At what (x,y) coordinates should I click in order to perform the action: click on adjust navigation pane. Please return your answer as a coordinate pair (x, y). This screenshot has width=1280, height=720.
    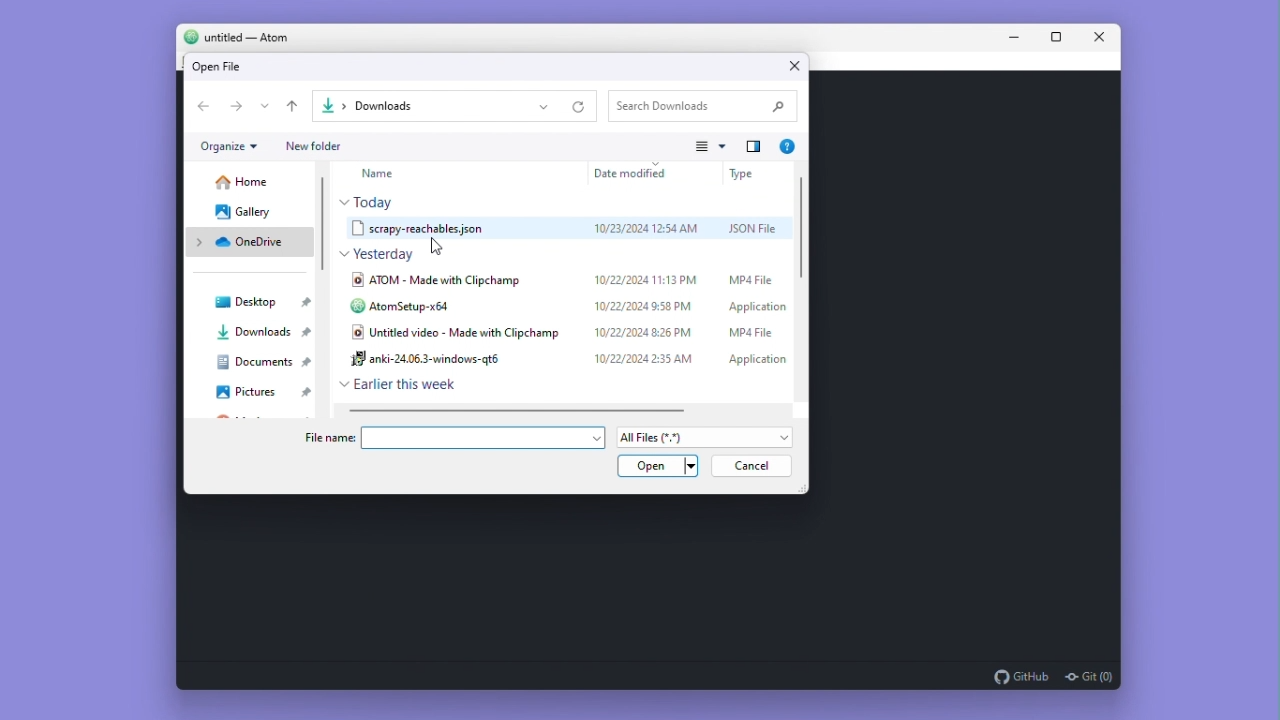
    Looking at the image, I should click on (755, 147).